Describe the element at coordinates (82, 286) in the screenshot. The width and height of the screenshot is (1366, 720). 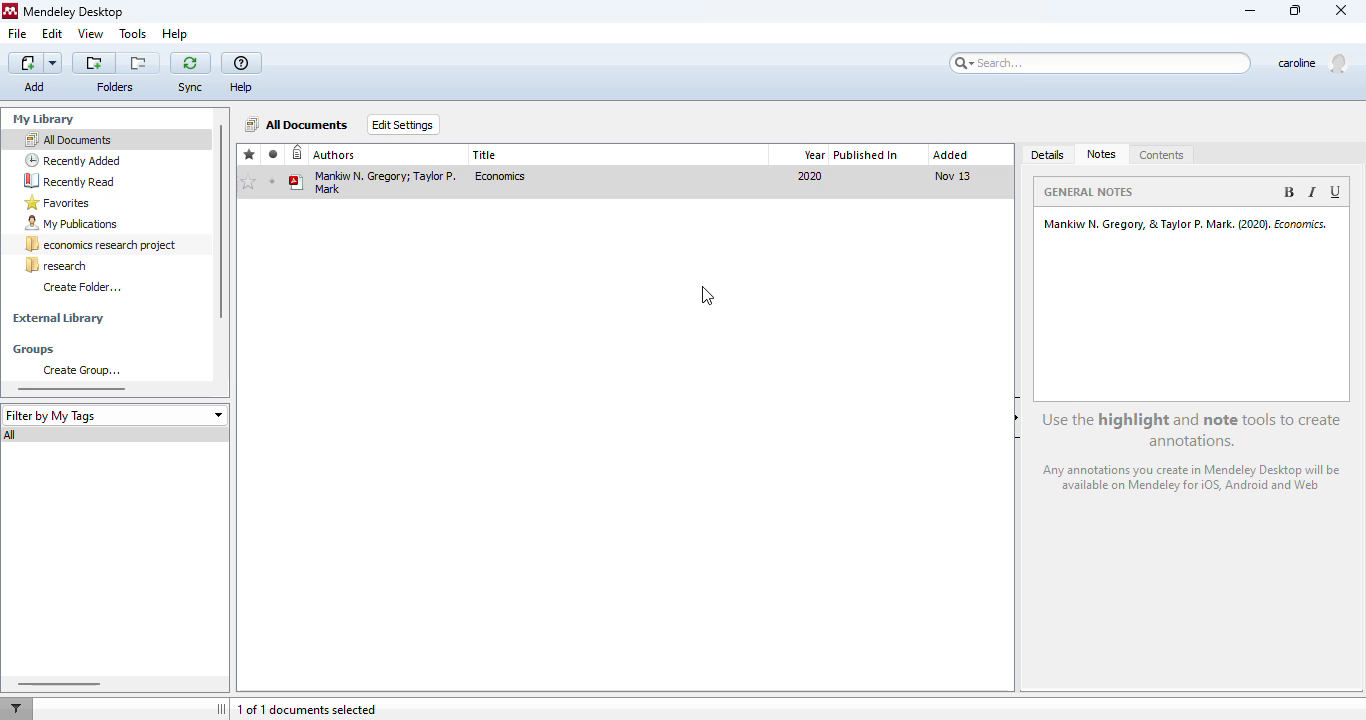
I see `create folder` at that location.